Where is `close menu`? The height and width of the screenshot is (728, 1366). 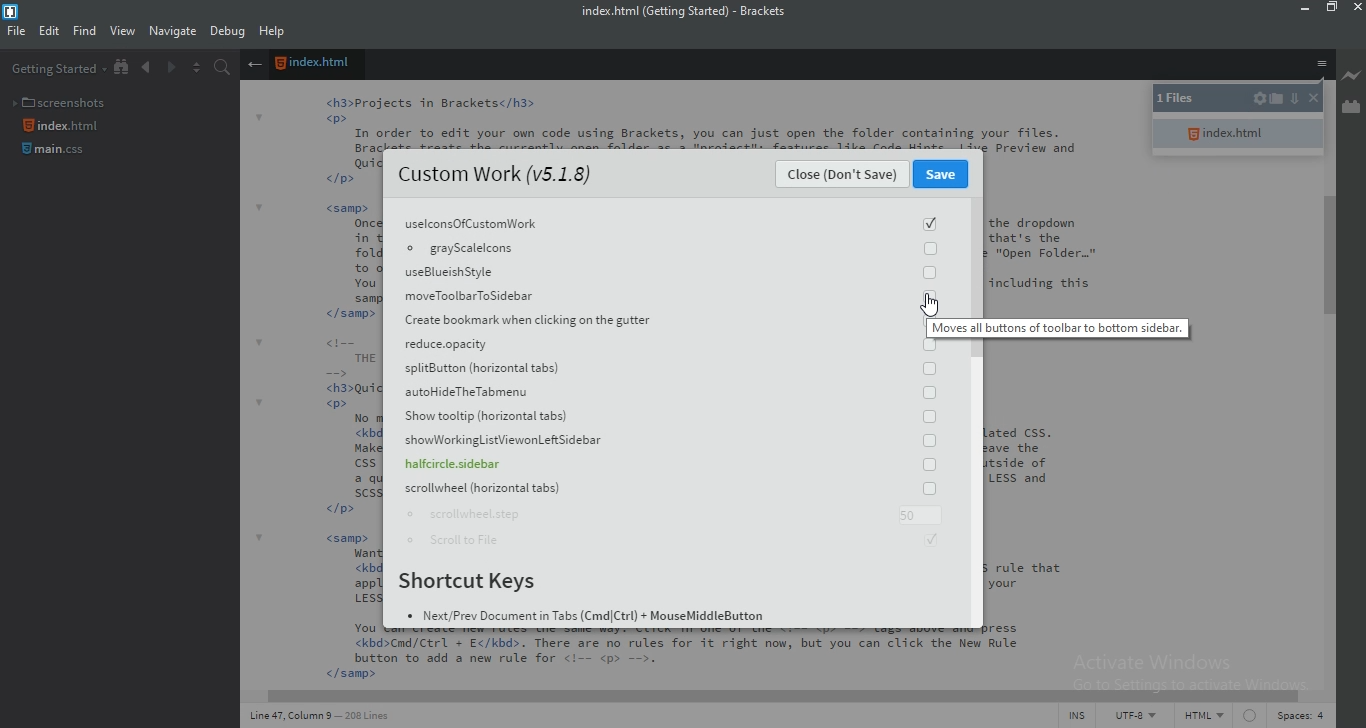 close menu is located at coordinates (254, 65).